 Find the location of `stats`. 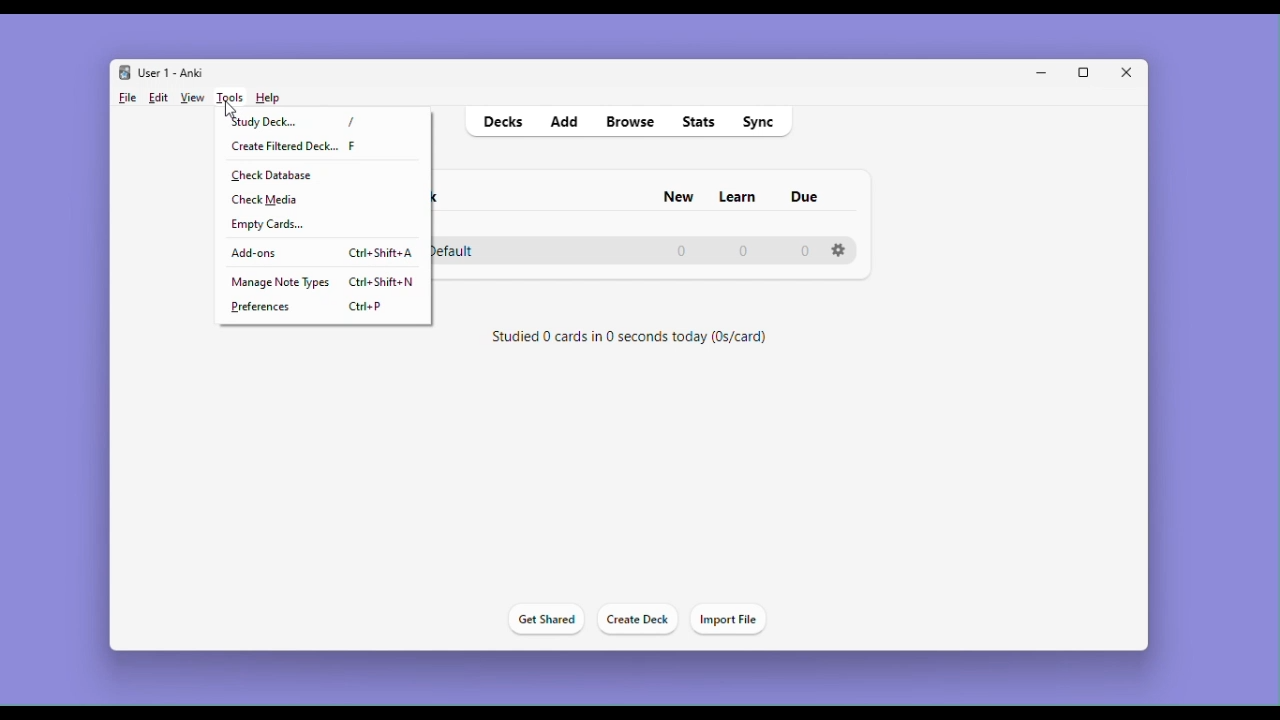

stats is located at coordinates (699, 121).